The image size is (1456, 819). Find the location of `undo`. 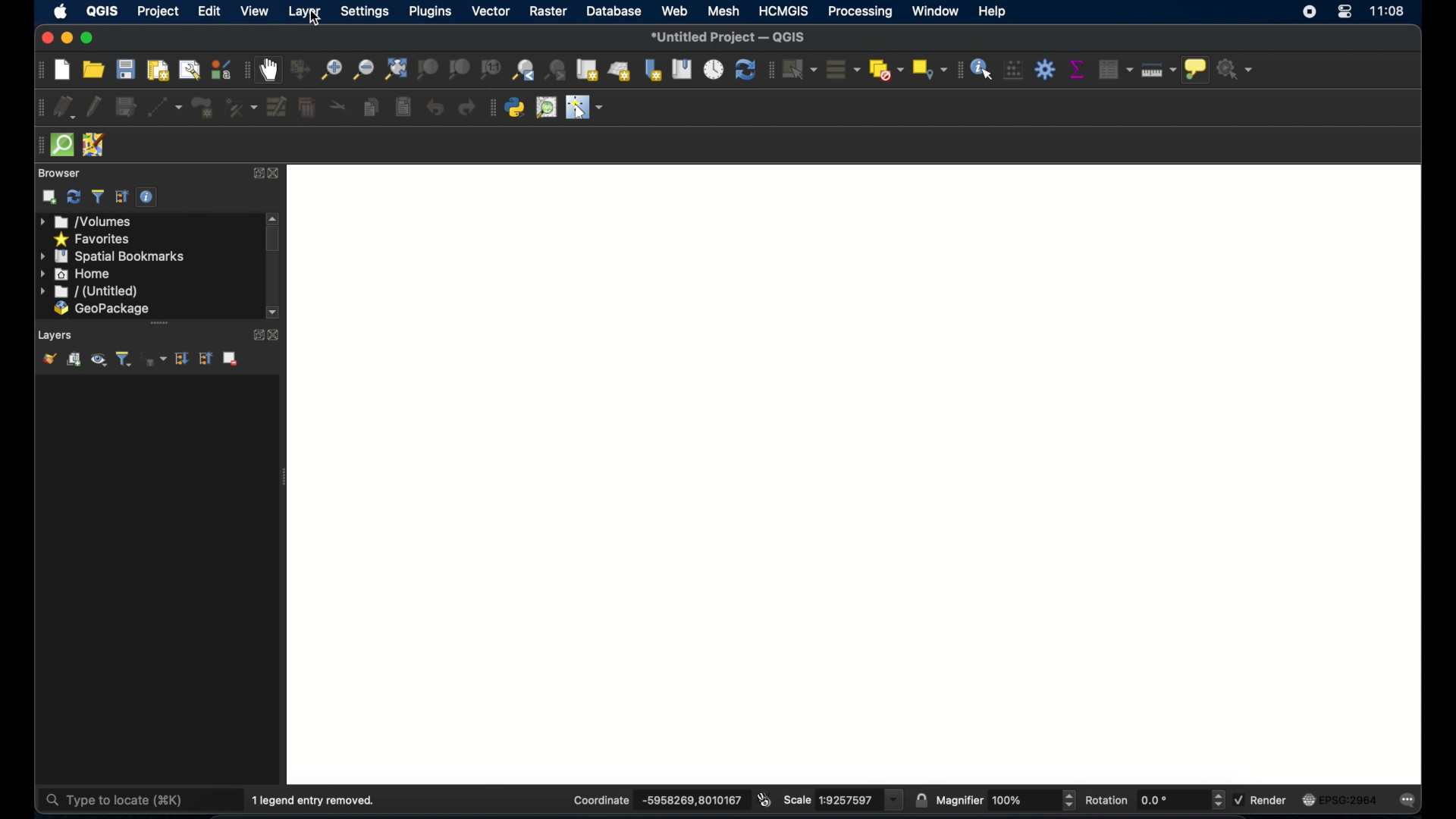

undo is located at coordinates (435, 108).